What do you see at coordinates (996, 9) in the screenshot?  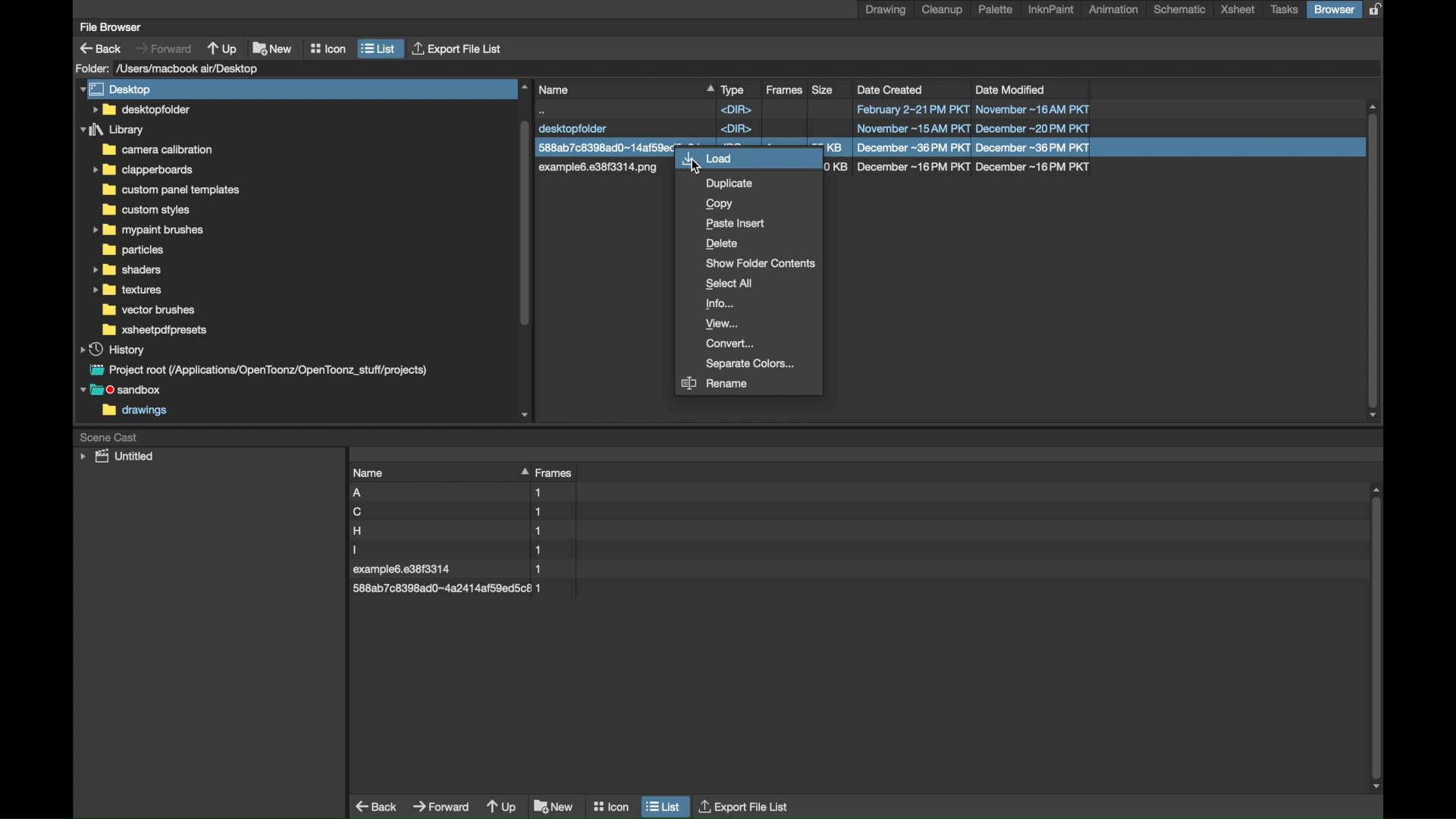 I see `palette` at bounding box center [996, 9].